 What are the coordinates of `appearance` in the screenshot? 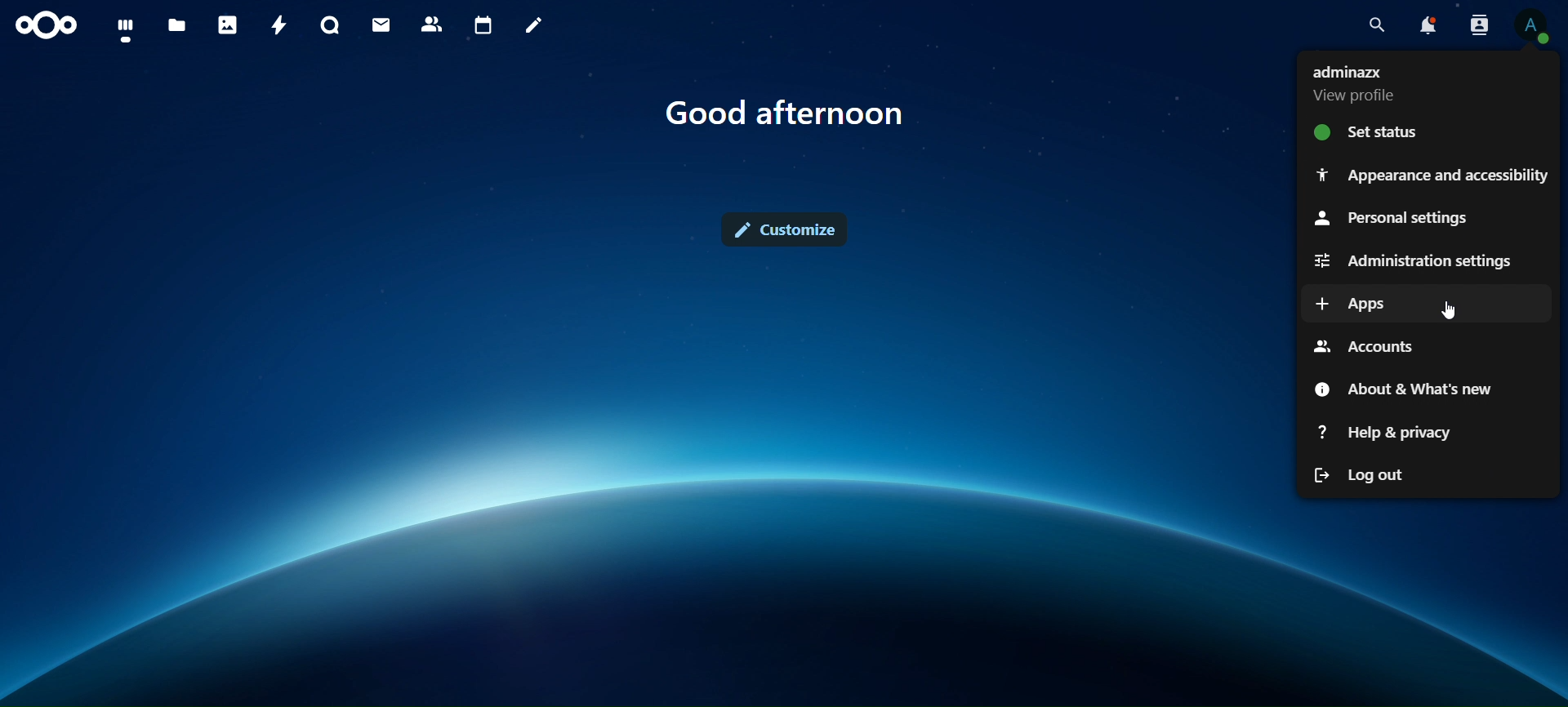 It's located at (1429, 174).